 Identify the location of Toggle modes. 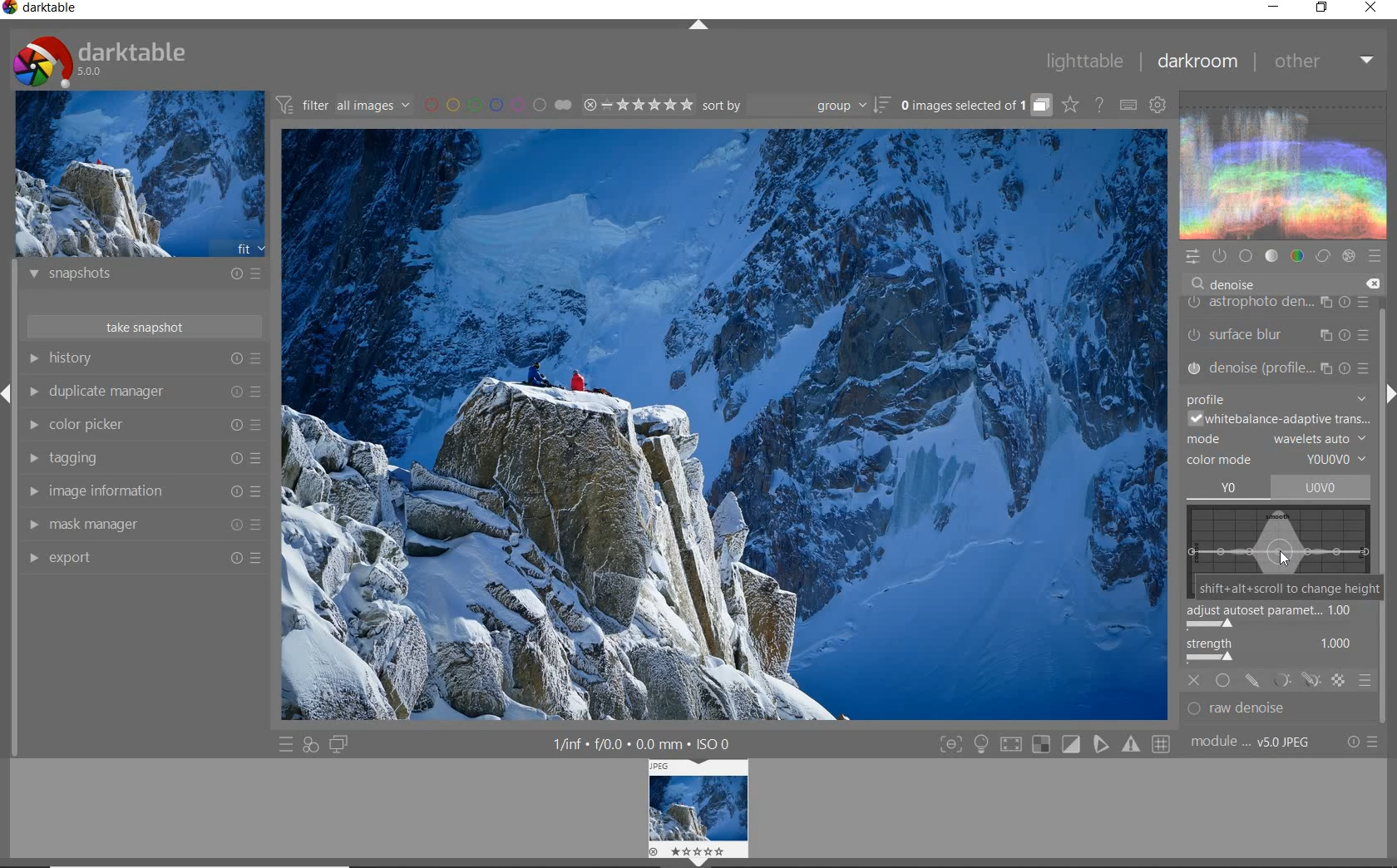
(1054, 742).